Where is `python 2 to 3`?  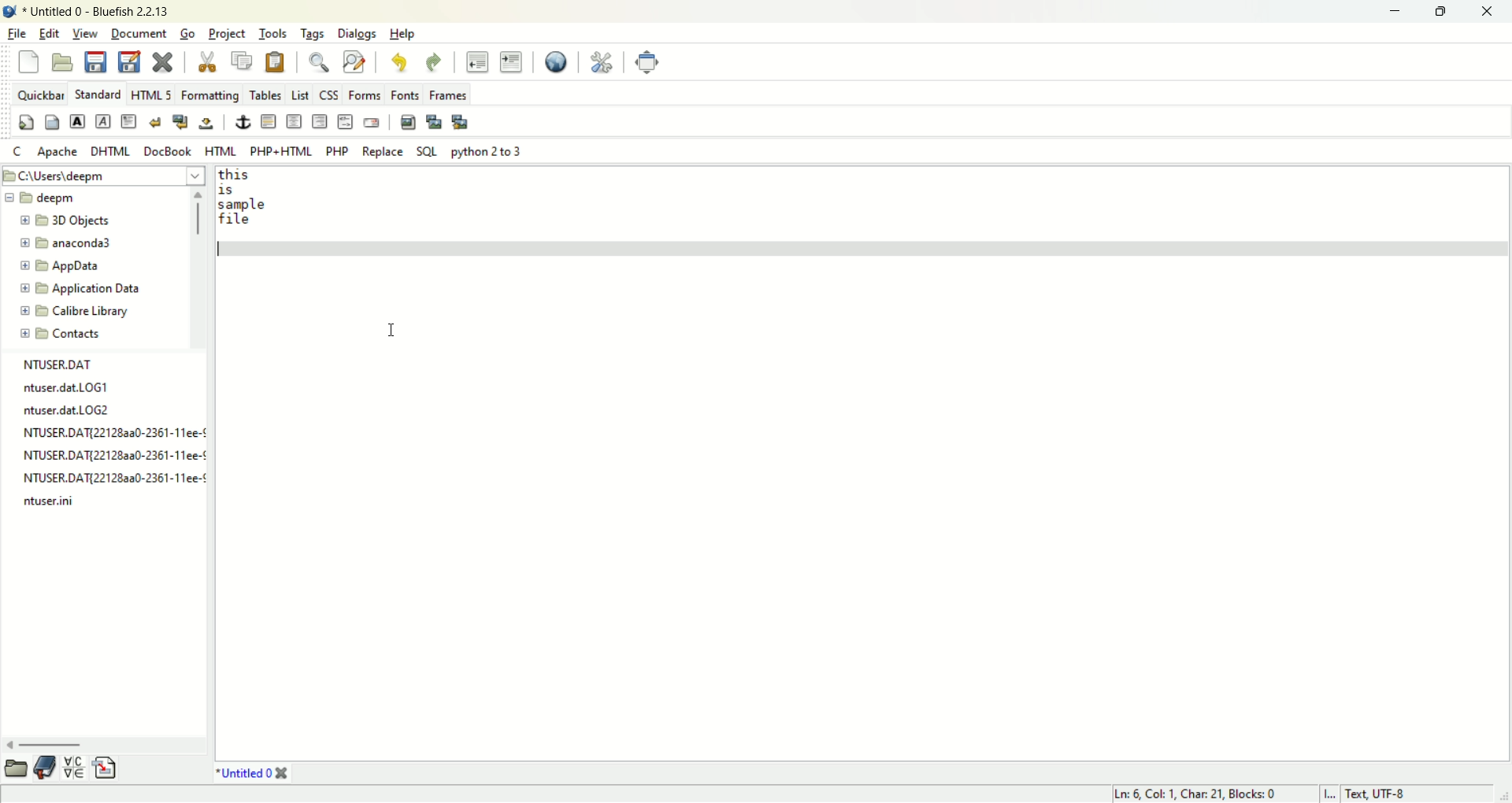 python 2 to 3 is located at coordinates (487, 151).